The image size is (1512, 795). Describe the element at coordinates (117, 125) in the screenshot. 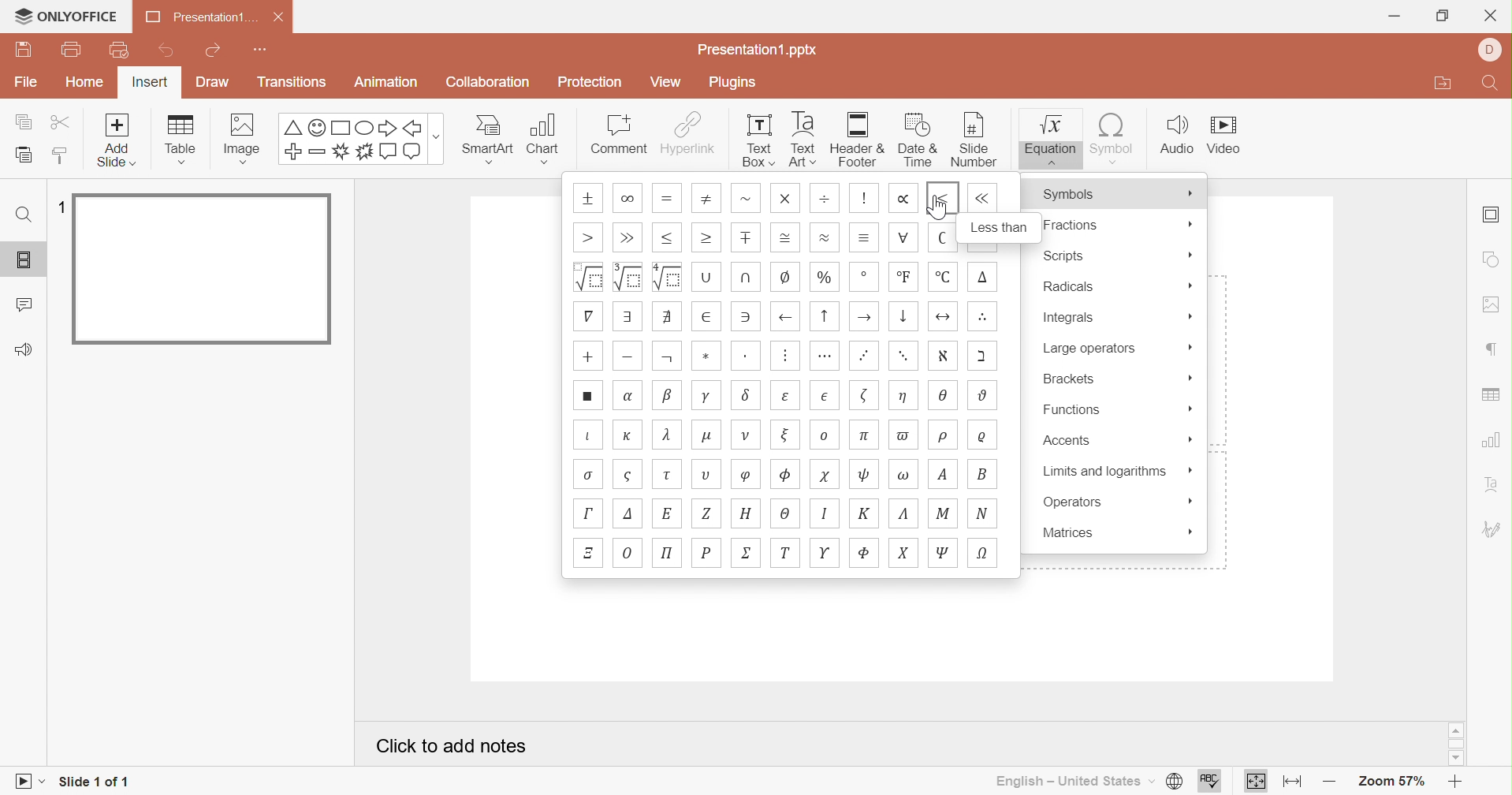

I see `add slide` at that location.